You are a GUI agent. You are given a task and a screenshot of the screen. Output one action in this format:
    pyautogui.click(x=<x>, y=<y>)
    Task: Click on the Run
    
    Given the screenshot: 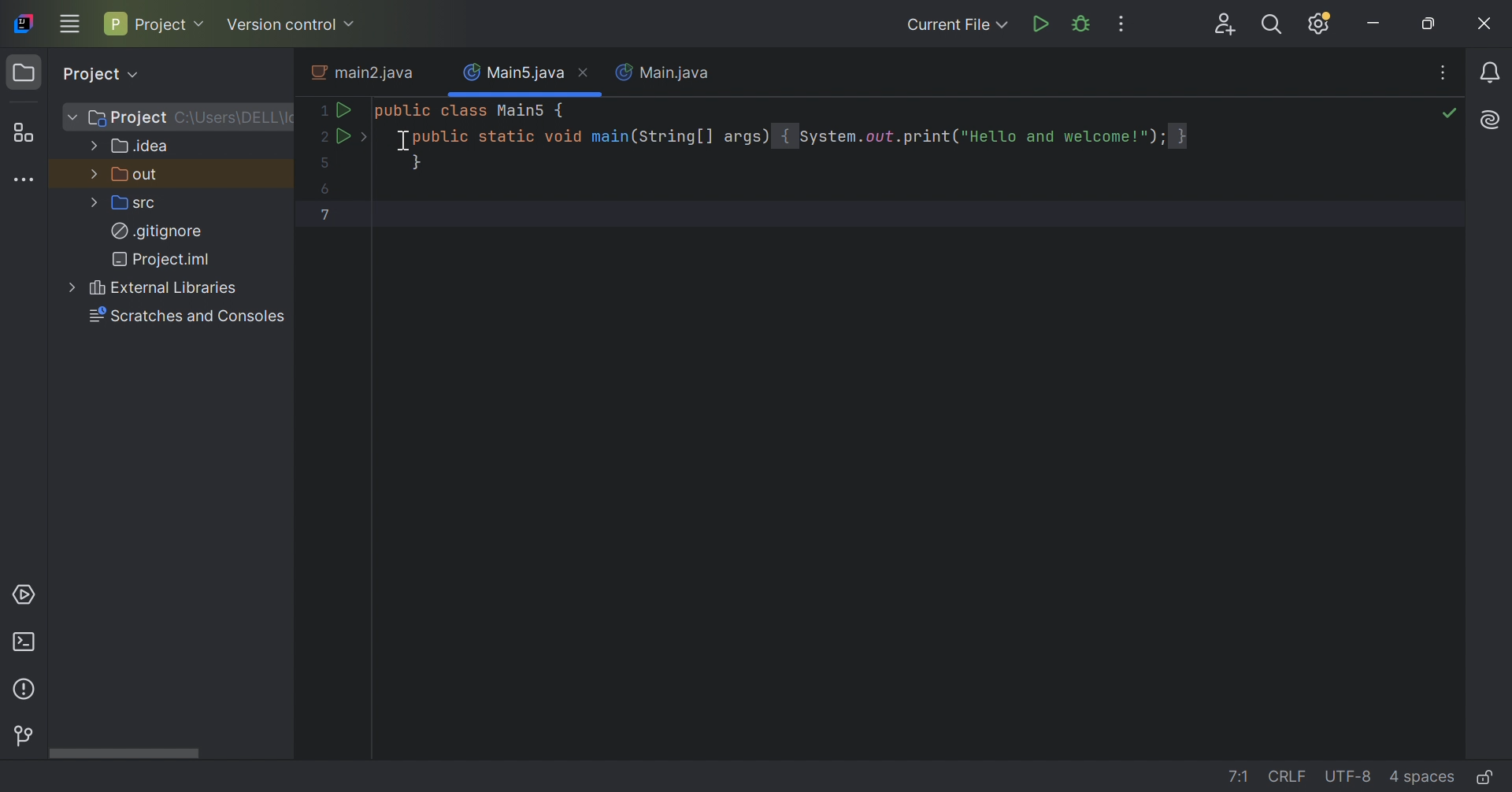 What is the action you would take?
    pyautogui.click(x=343, y=134)
    